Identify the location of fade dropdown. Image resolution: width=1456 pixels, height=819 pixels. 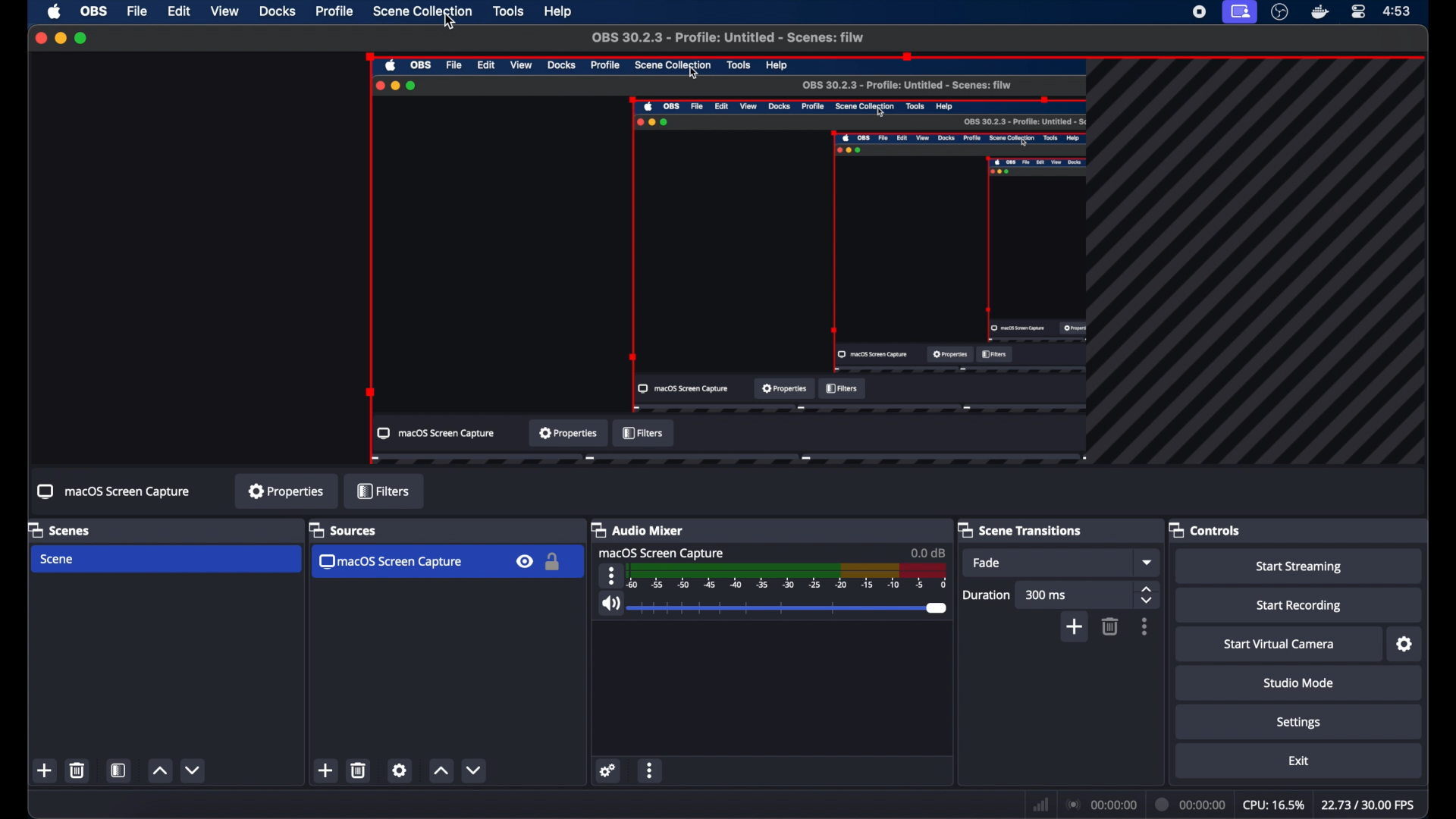
(1147, 562).